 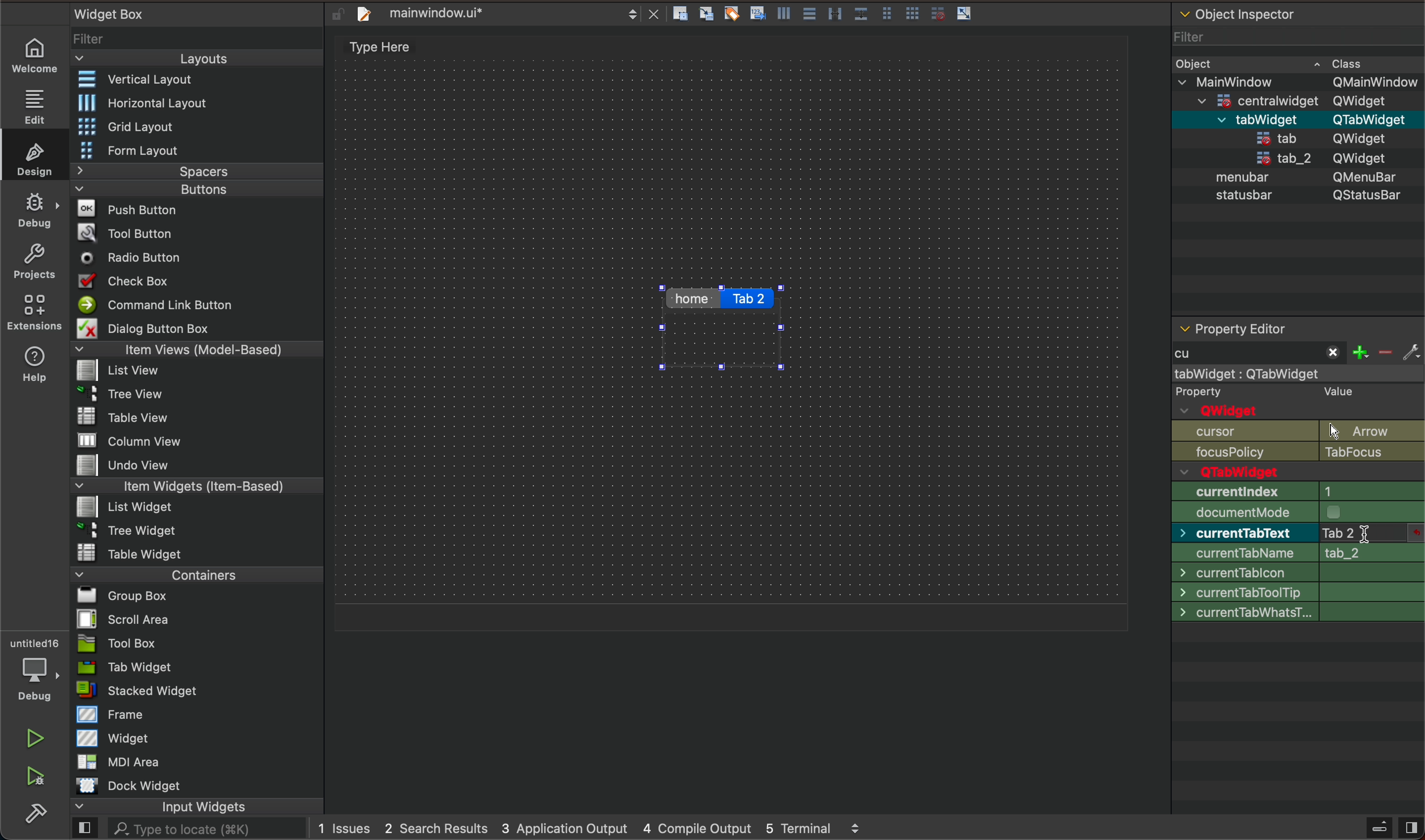 I want to click on home tab, so click(x=693, y=301).